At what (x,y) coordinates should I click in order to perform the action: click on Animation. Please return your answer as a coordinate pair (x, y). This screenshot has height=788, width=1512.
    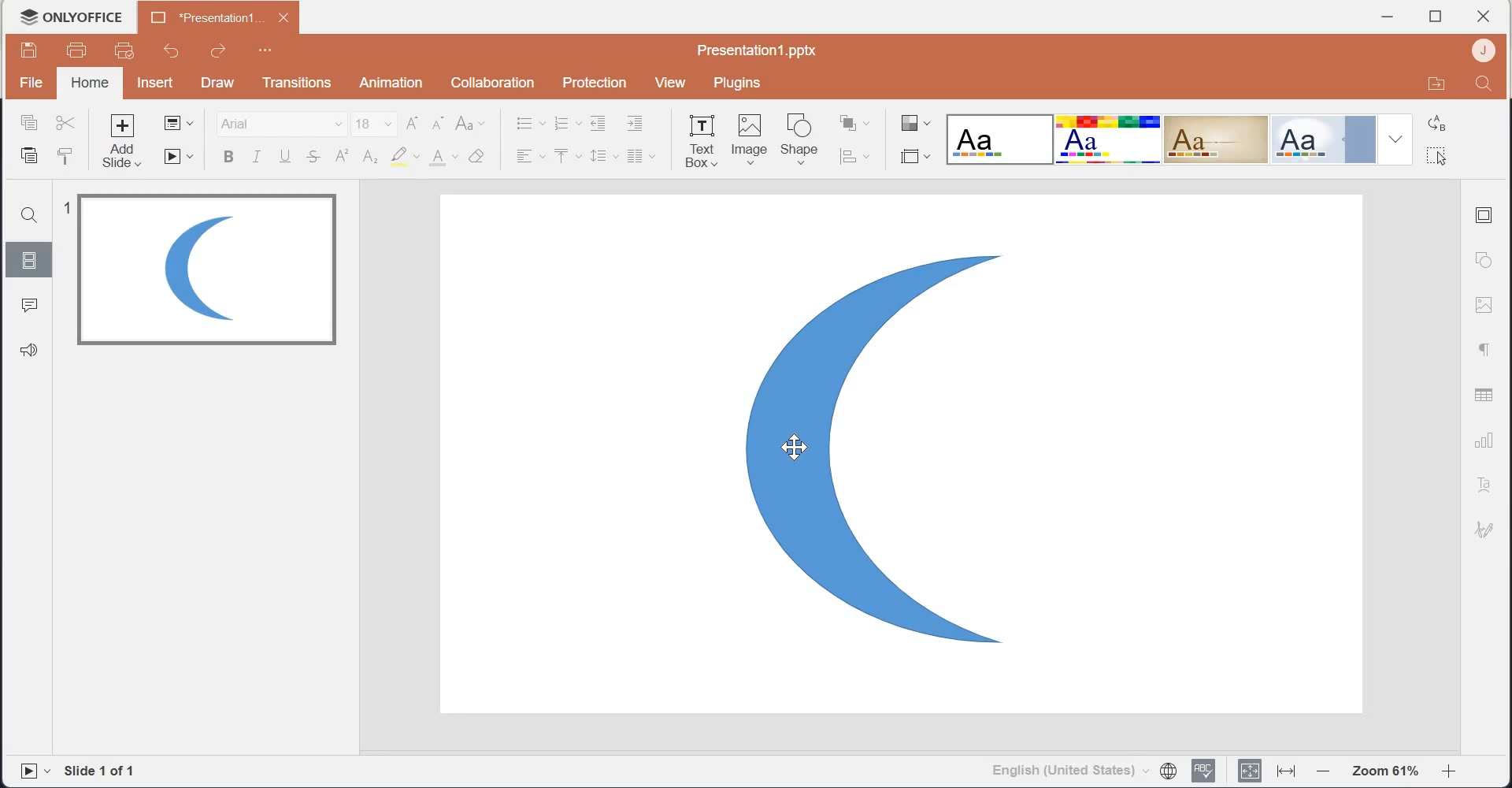
    Looking at the image, I should click on (391, 83).